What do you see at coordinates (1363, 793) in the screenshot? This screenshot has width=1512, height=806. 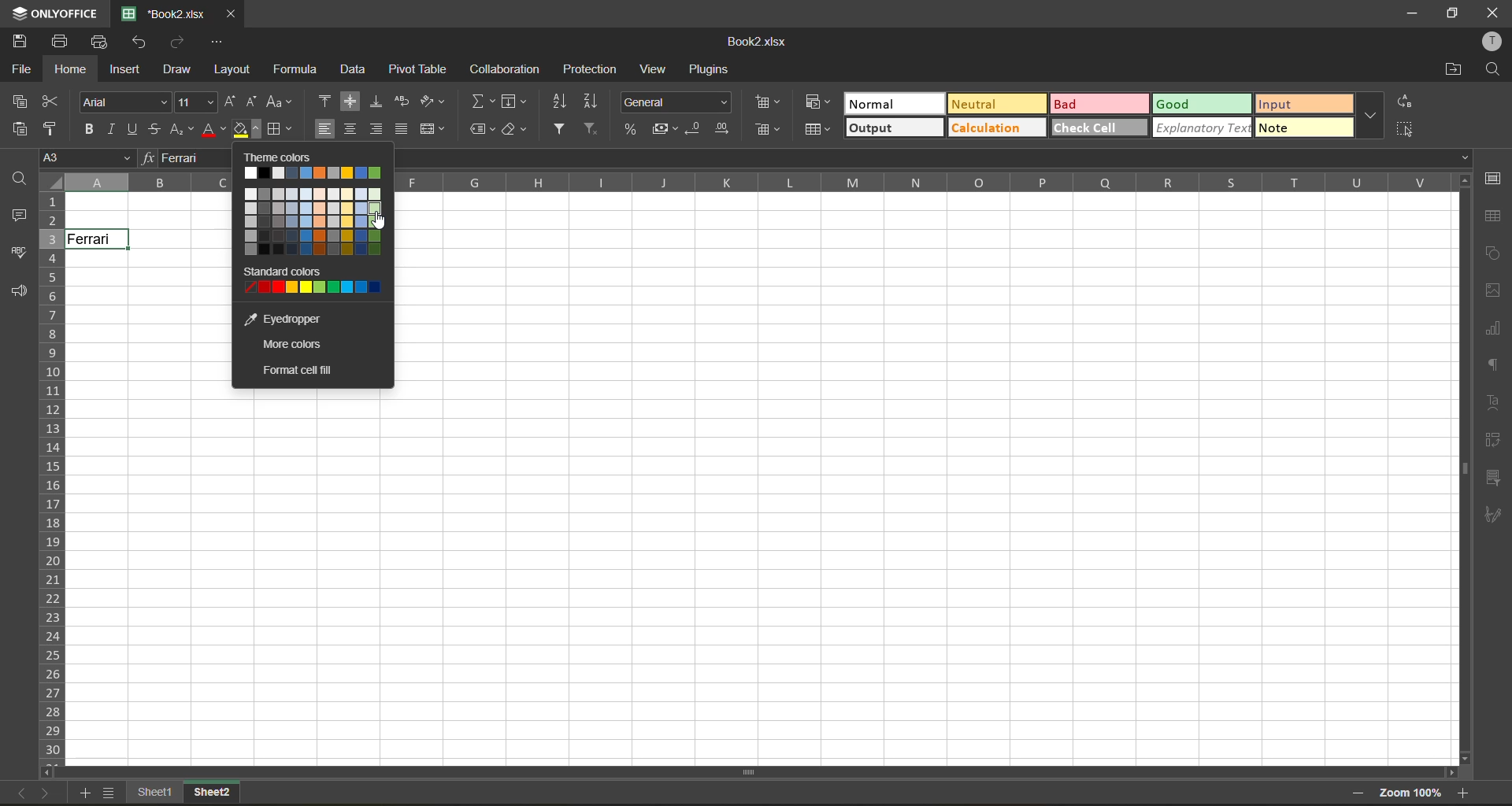 I see `zoom out` at bounding box center [1363, 793].